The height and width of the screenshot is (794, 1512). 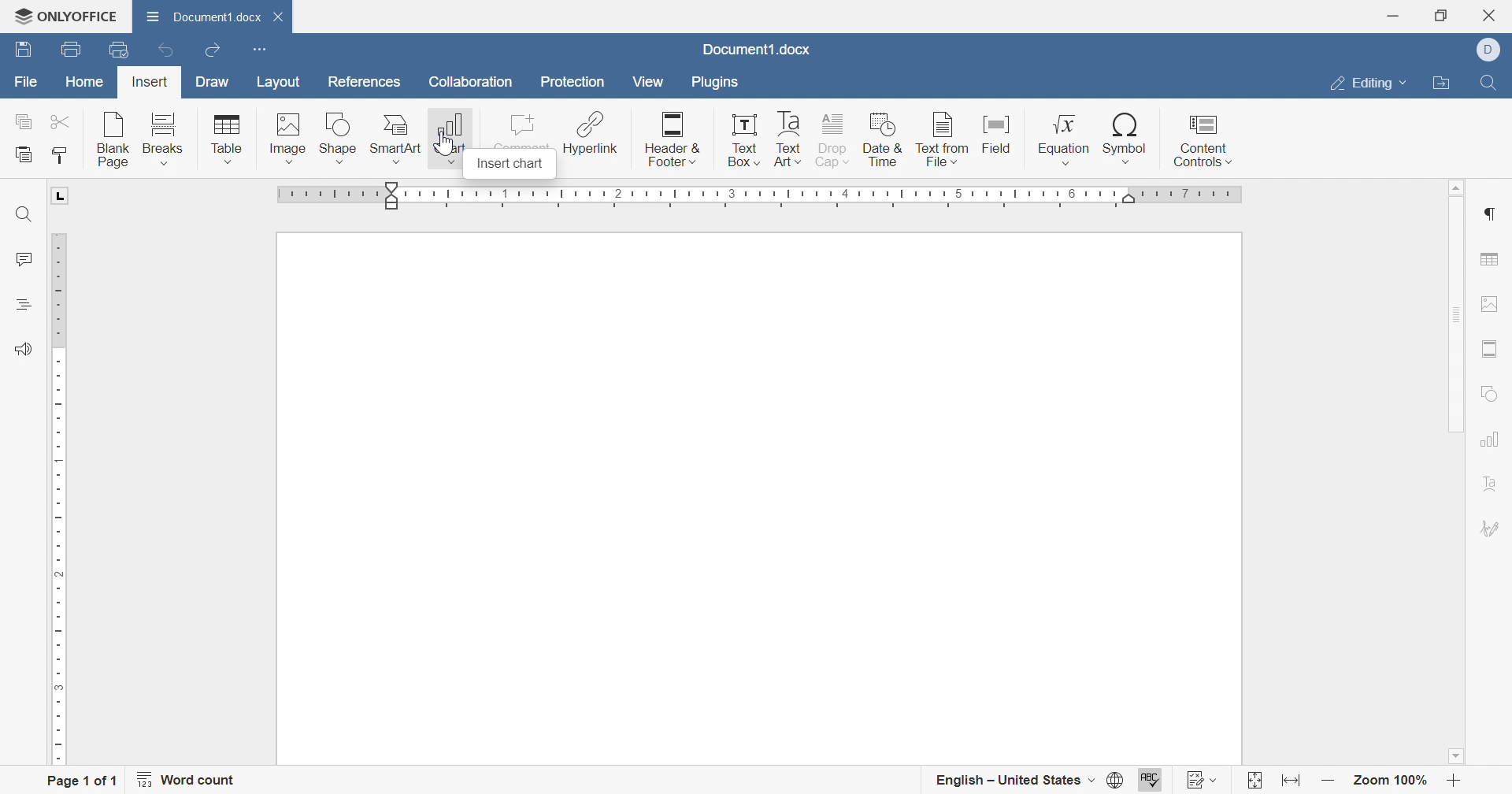 What do you see at coordinates (113, 136) in the screenshot?
I see `Blank Page` at bounding box center [113, 136].